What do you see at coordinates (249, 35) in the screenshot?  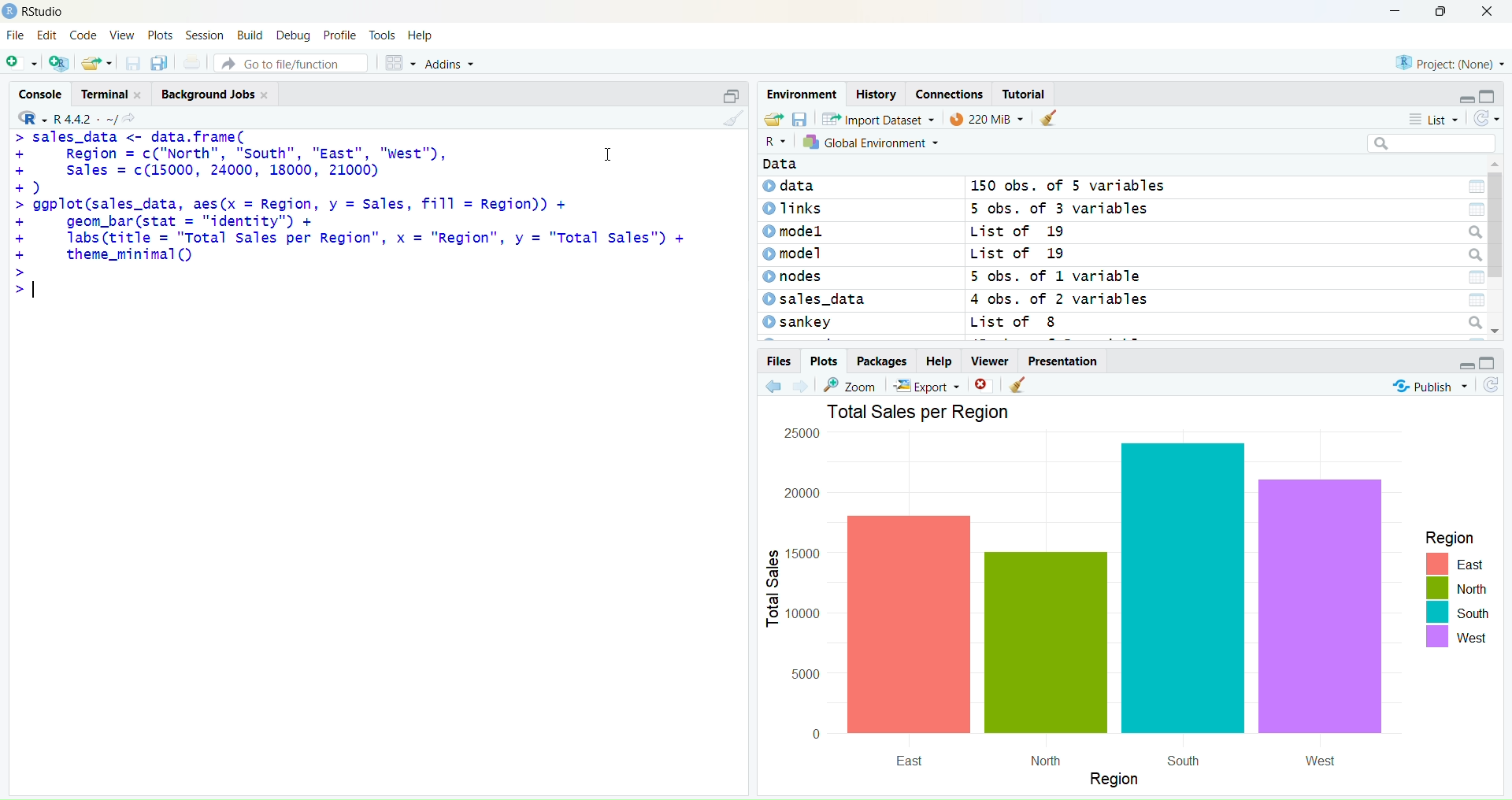 I see `Build` at bounding box center [249, 35].